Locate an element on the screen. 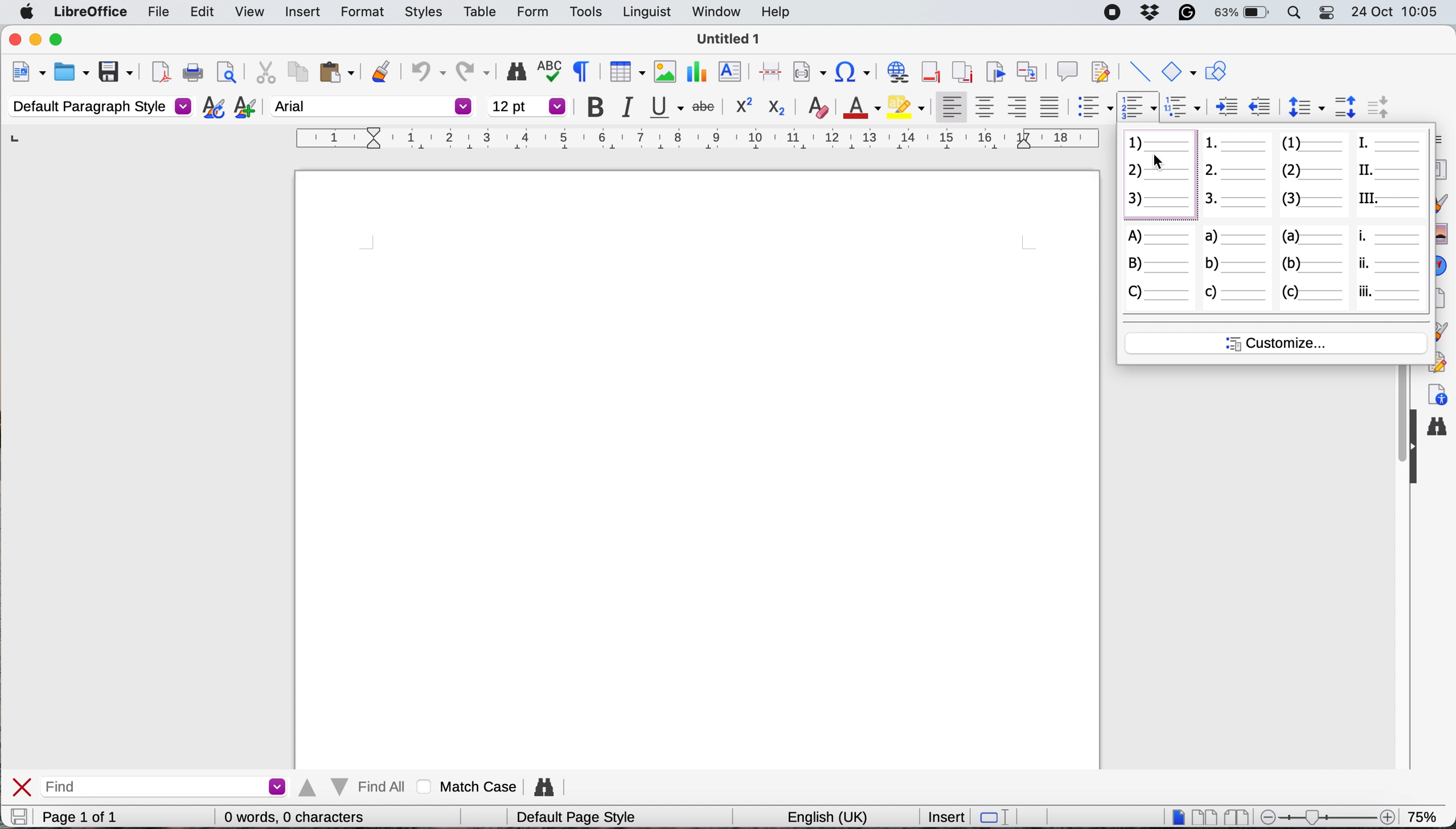 This screenshot has height=829, width=1456. increase indent is located at coordinates (1261, 105).